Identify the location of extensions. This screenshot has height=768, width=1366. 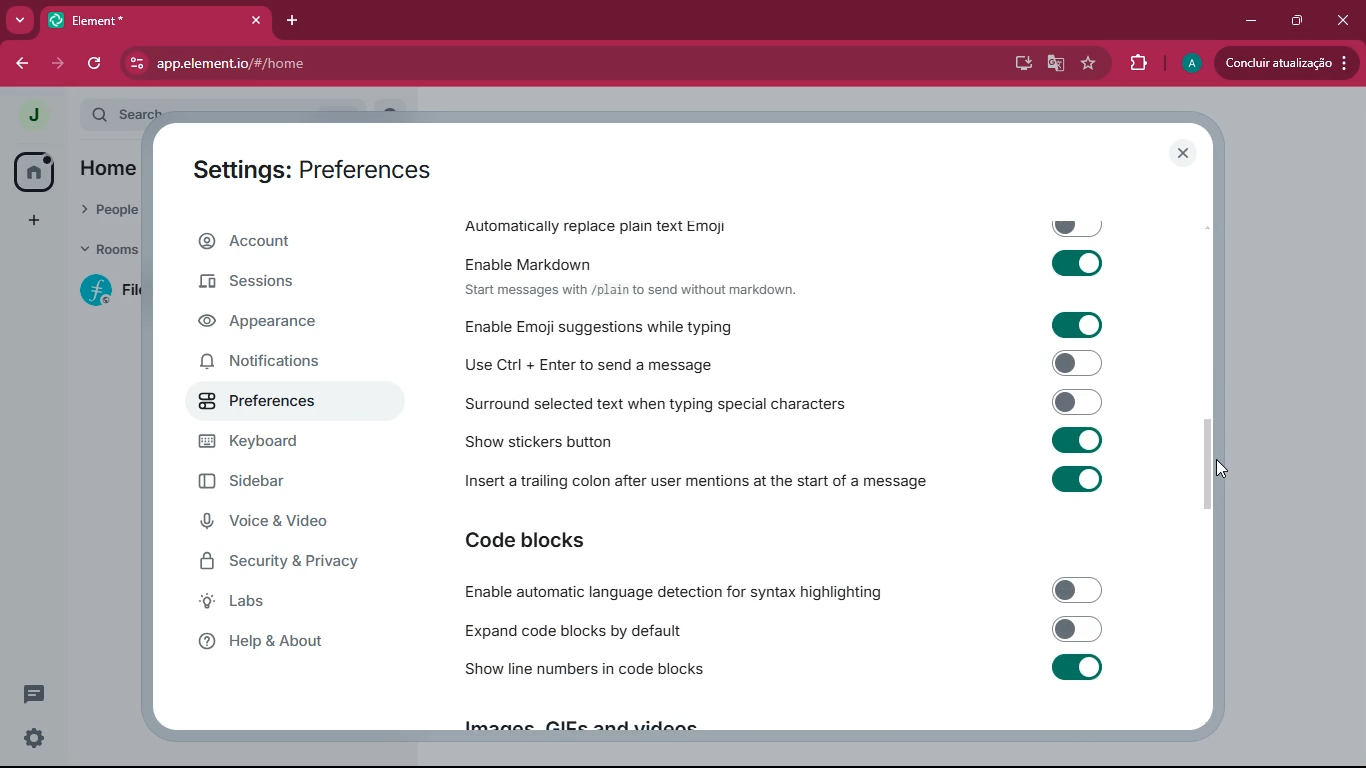
(1134, 63).